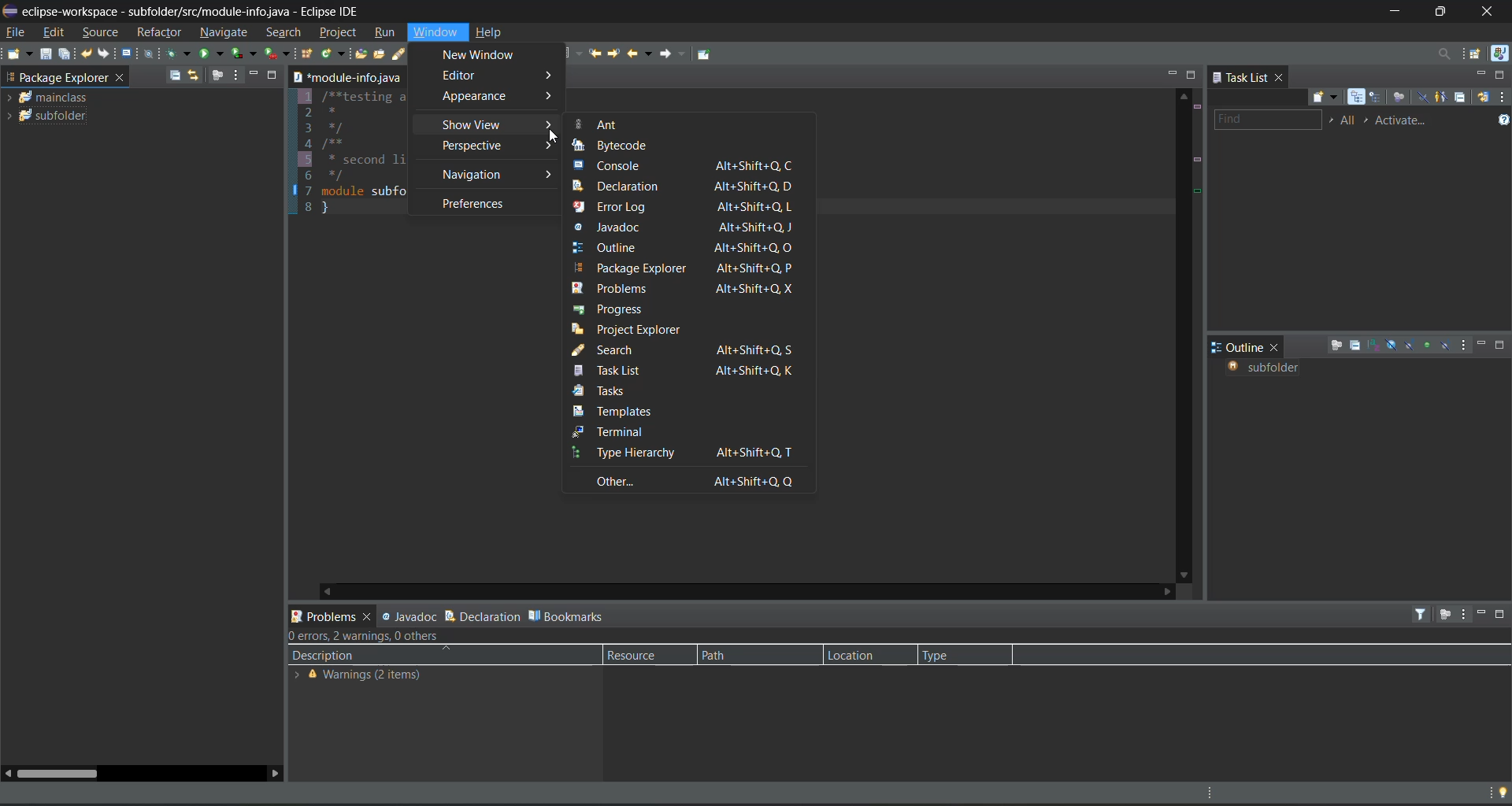 This screenshot has width=1512, height=806. Describe the element at coordinates (347, 77) in the screenshot. I see `module info java` at that location.